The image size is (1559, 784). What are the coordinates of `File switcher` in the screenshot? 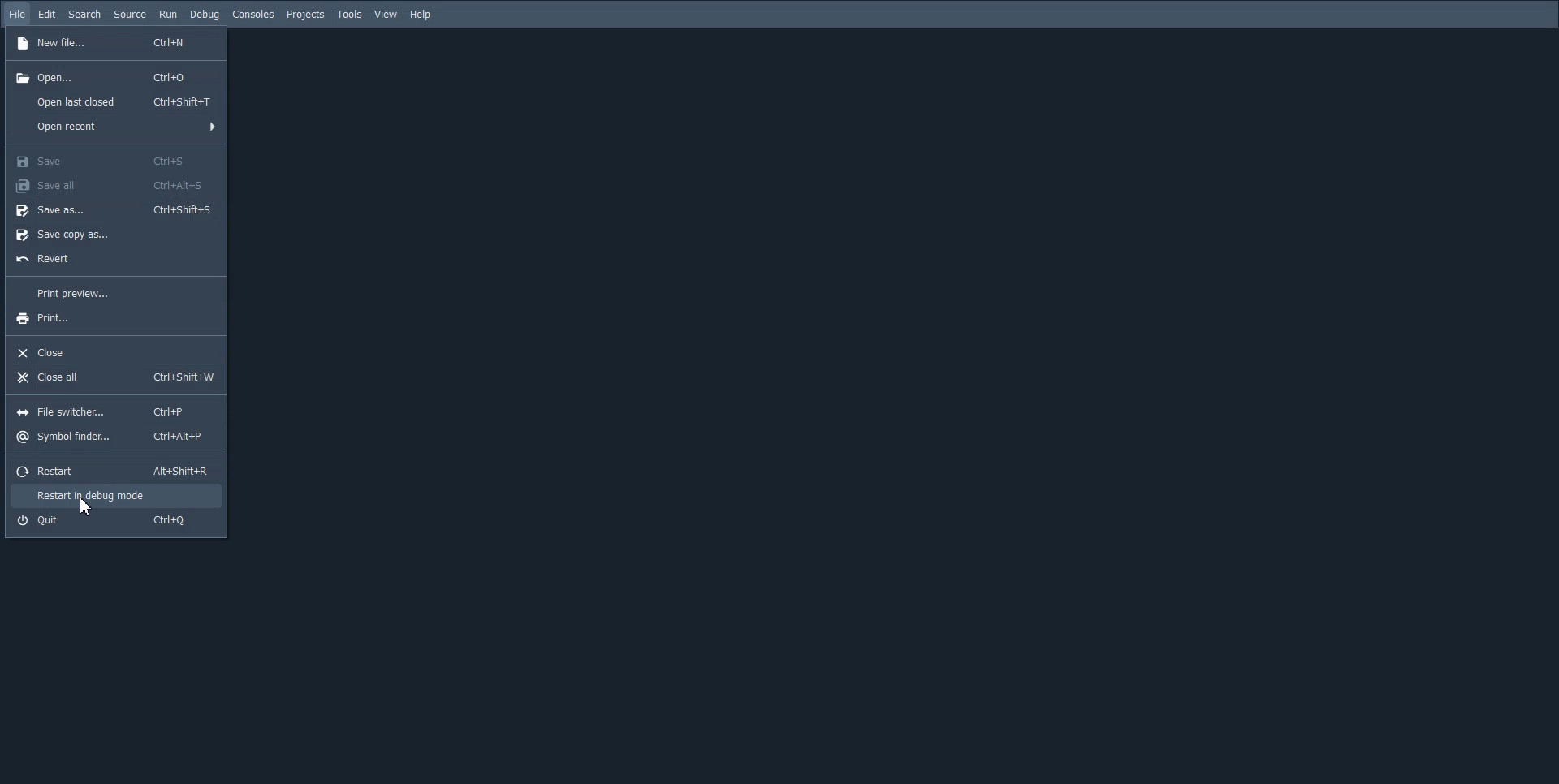 It's located at (114, 411).